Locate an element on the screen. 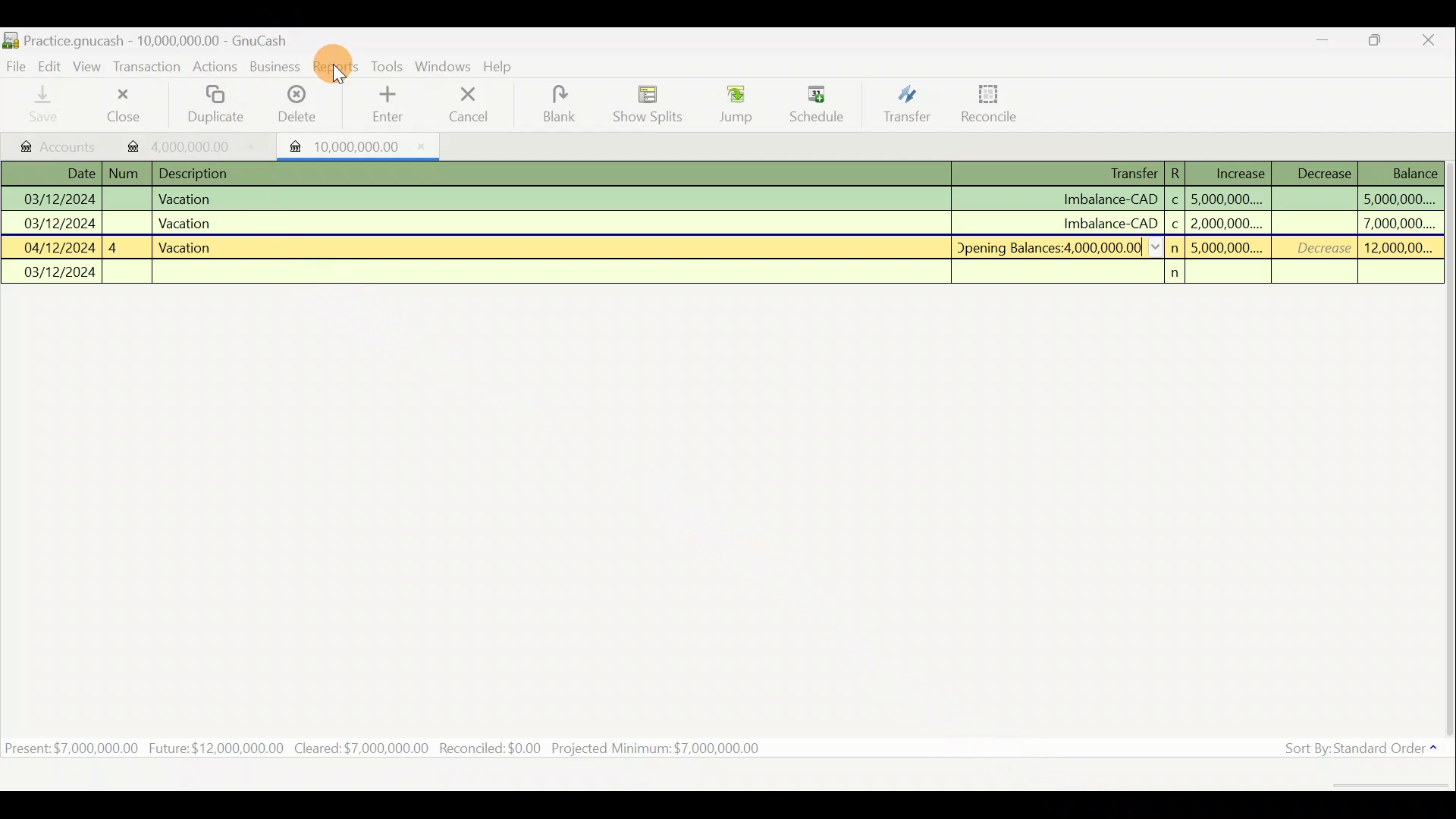  Close is located at coordinates (1434, 40).